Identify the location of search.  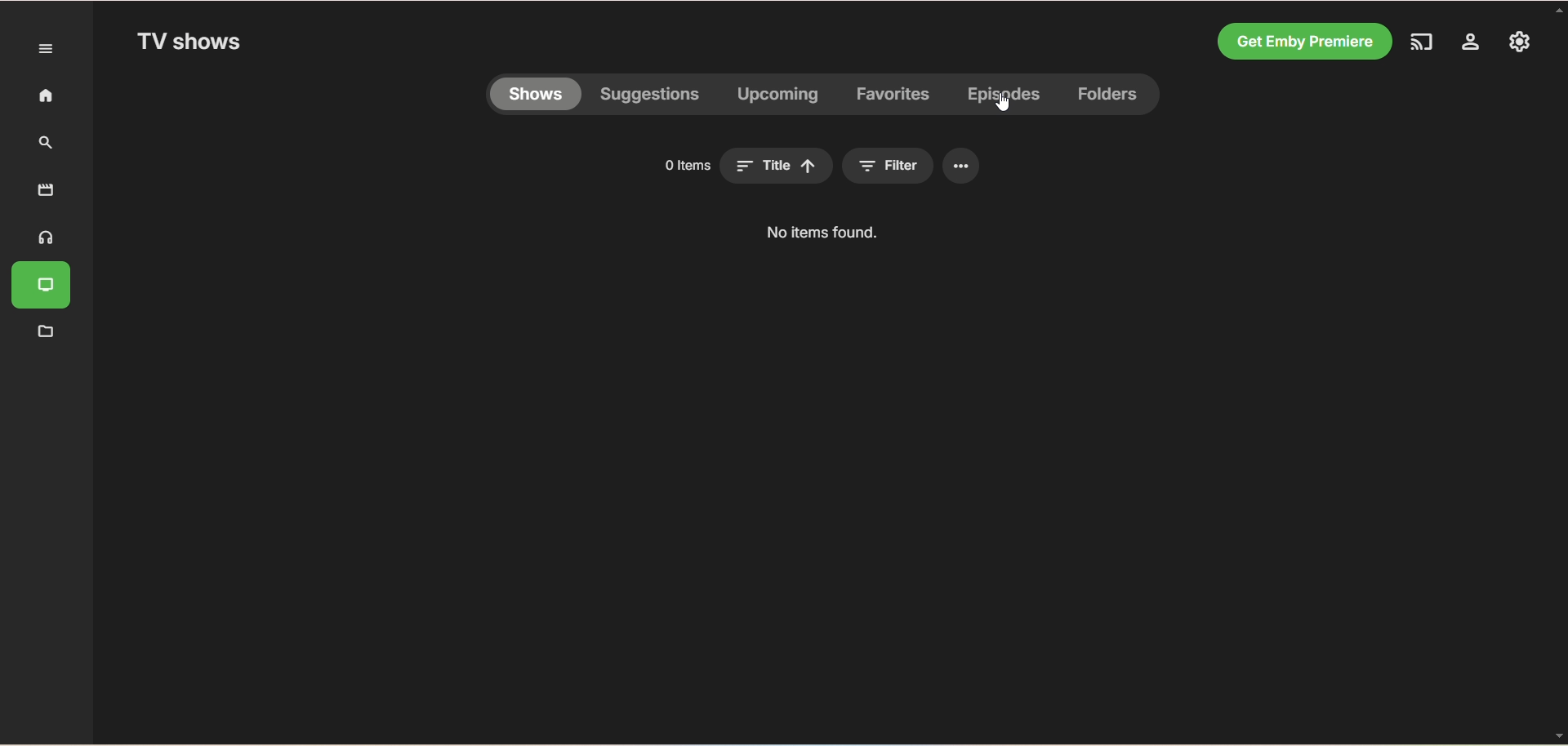
(41, 144).